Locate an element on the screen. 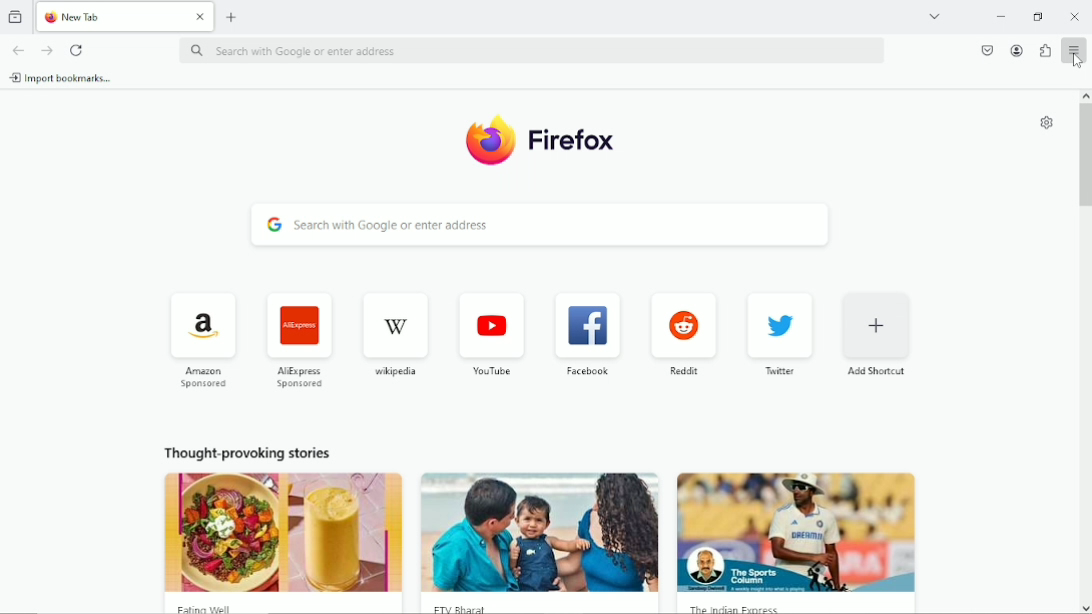 This screenshot has width=1092, height=614. Amazon is located at coordinates (201, 381).